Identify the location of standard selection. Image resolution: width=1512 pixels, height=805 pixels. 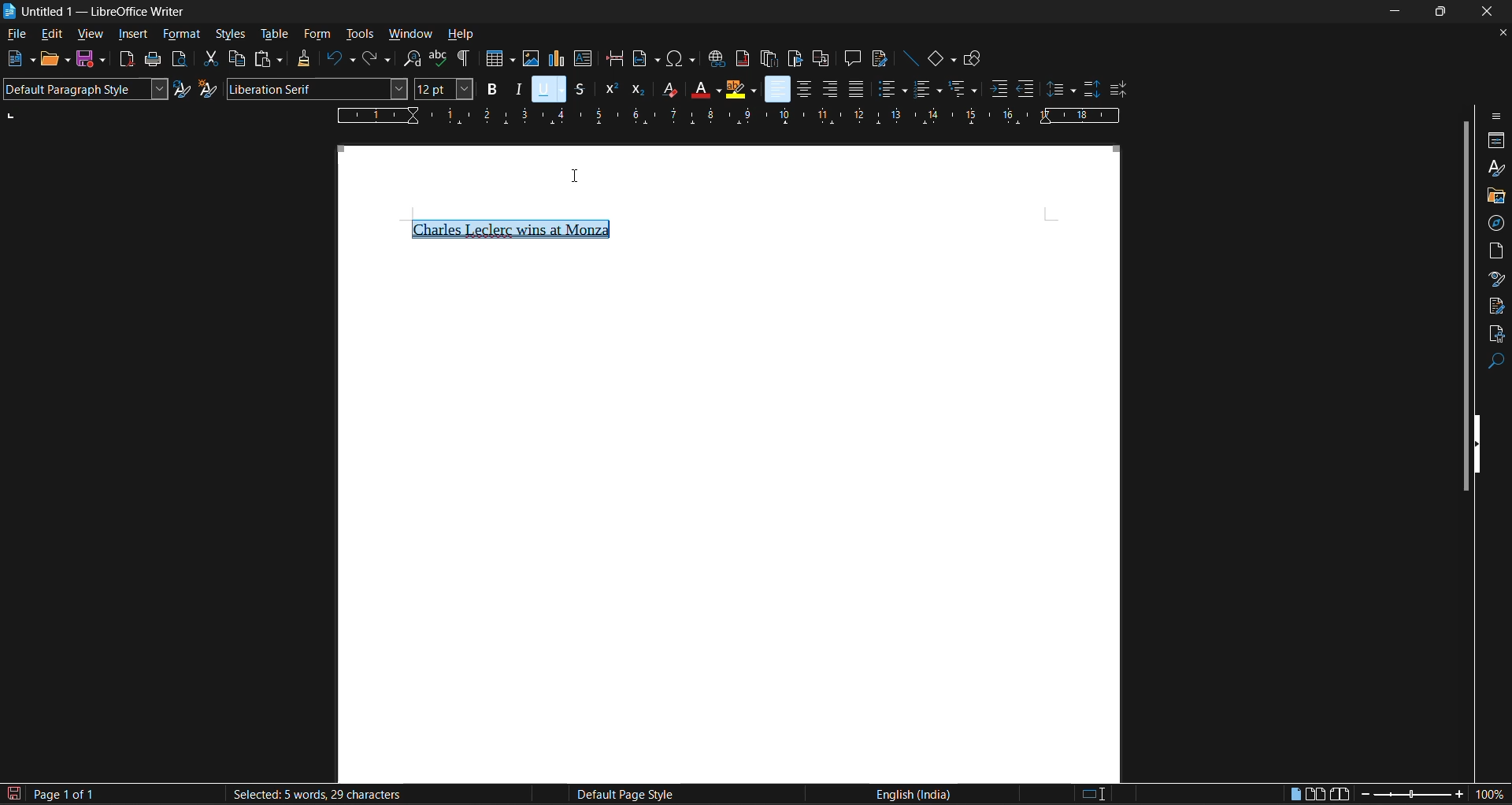
(1093, 796).